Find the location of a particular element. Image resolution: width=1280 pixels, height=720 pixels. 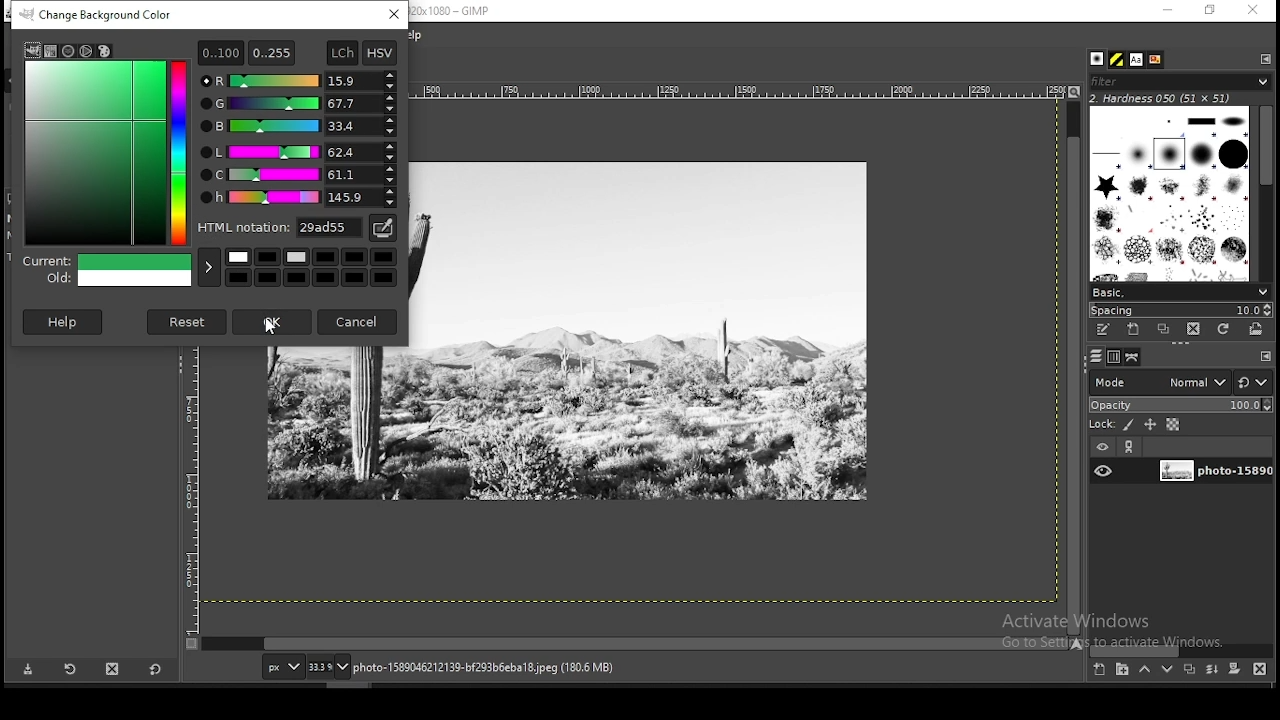

blue is located at coordinates (298, 127).